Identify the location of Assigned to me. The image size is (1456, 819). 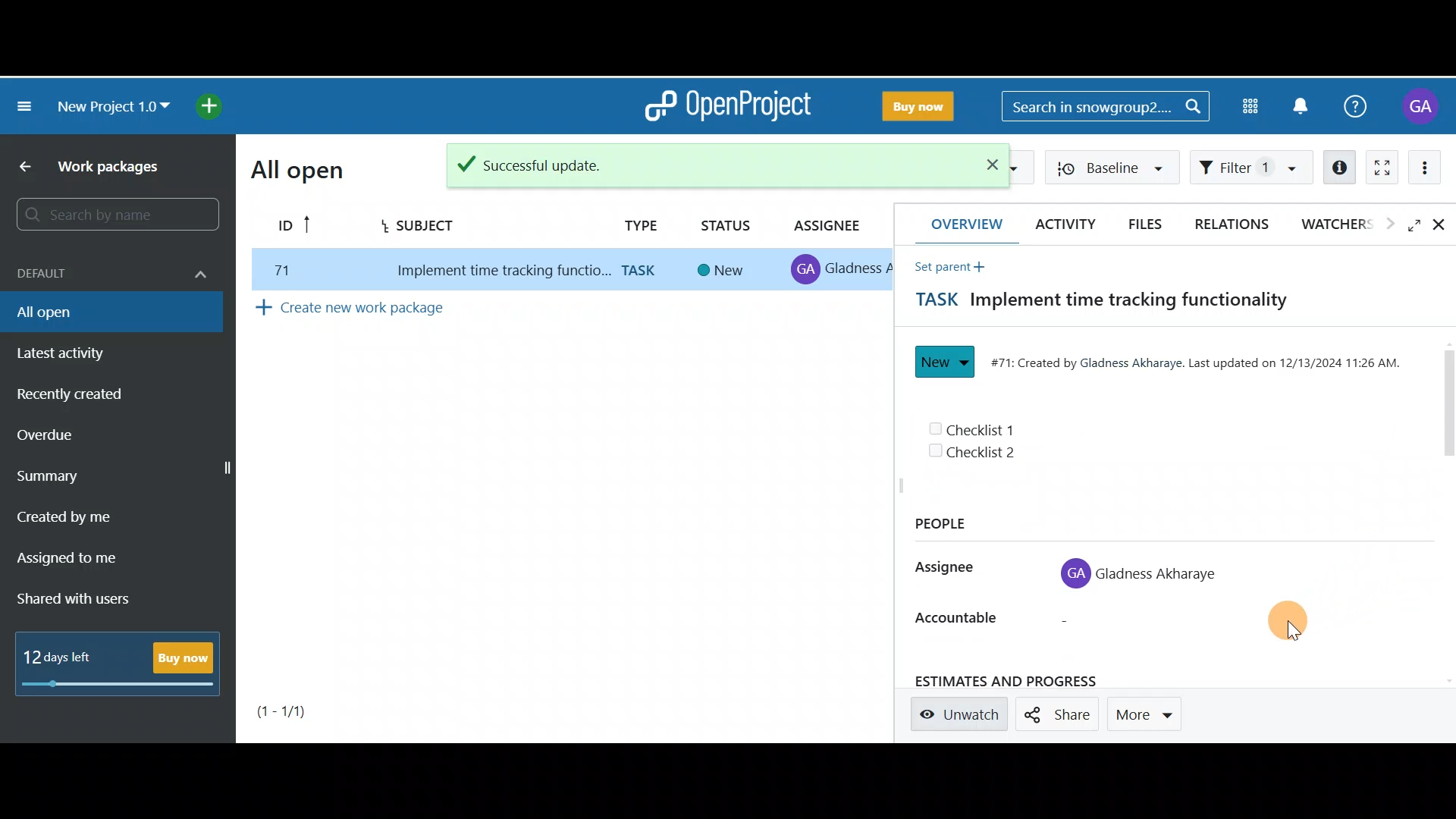
(74, 557).